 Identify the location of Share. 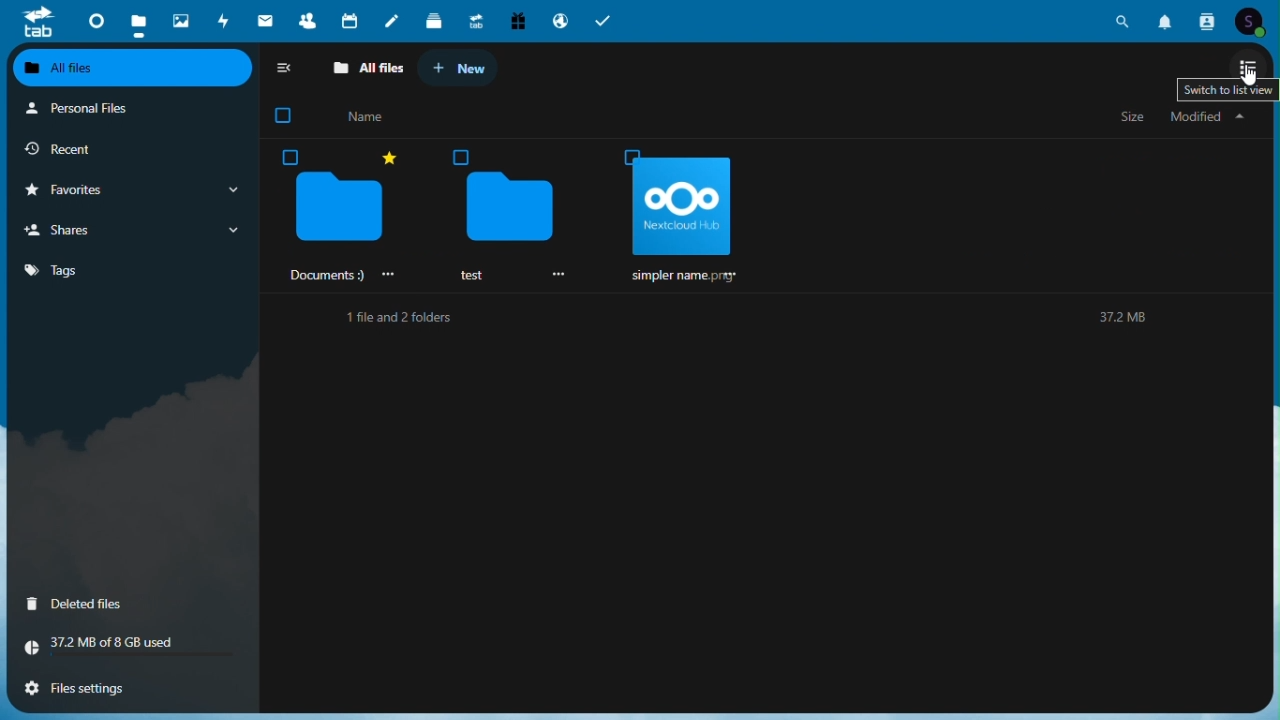
(136, 229).